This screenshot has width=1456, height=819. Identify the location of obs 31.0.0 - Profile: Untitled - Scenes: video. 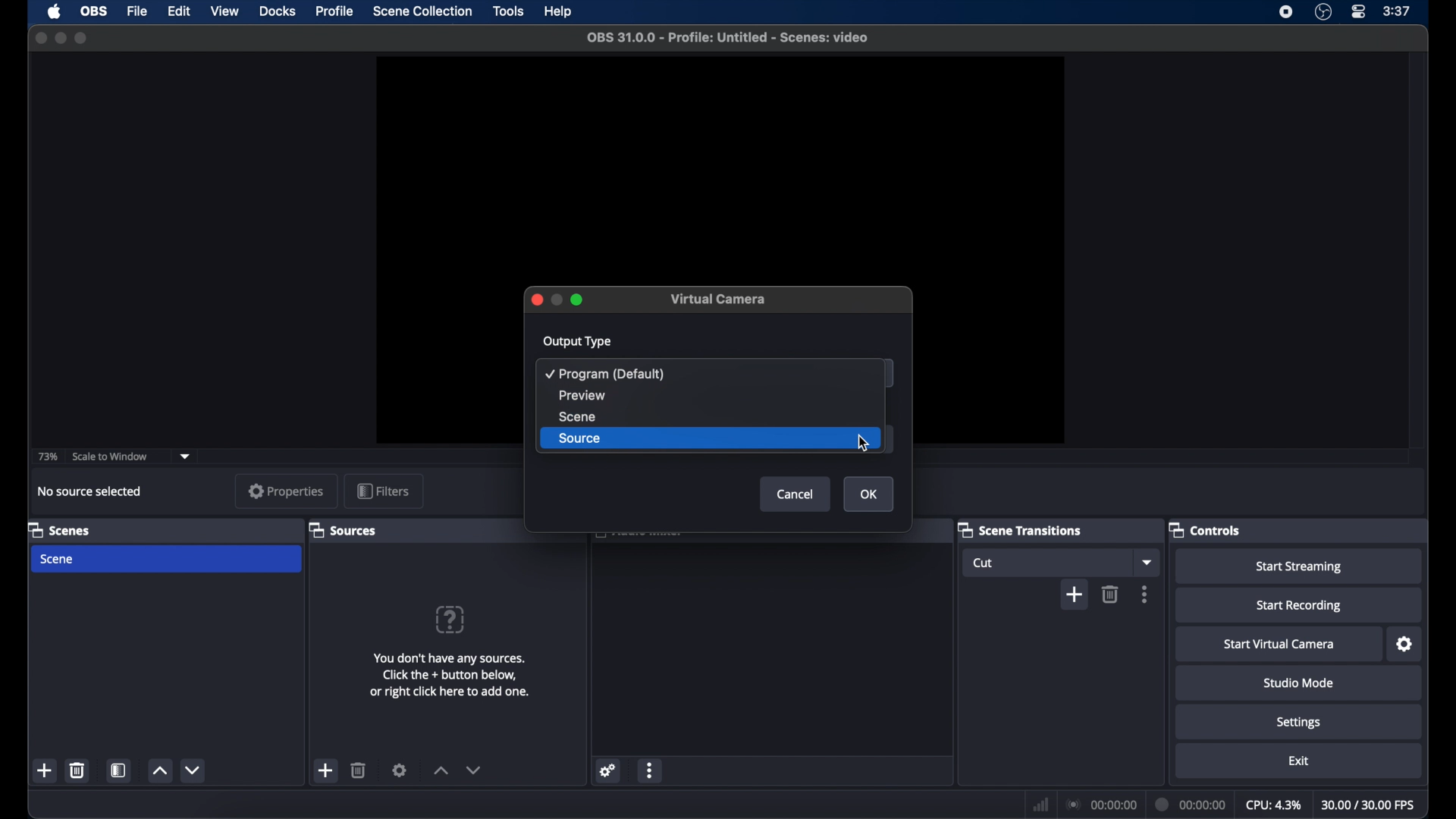
(734, 39).